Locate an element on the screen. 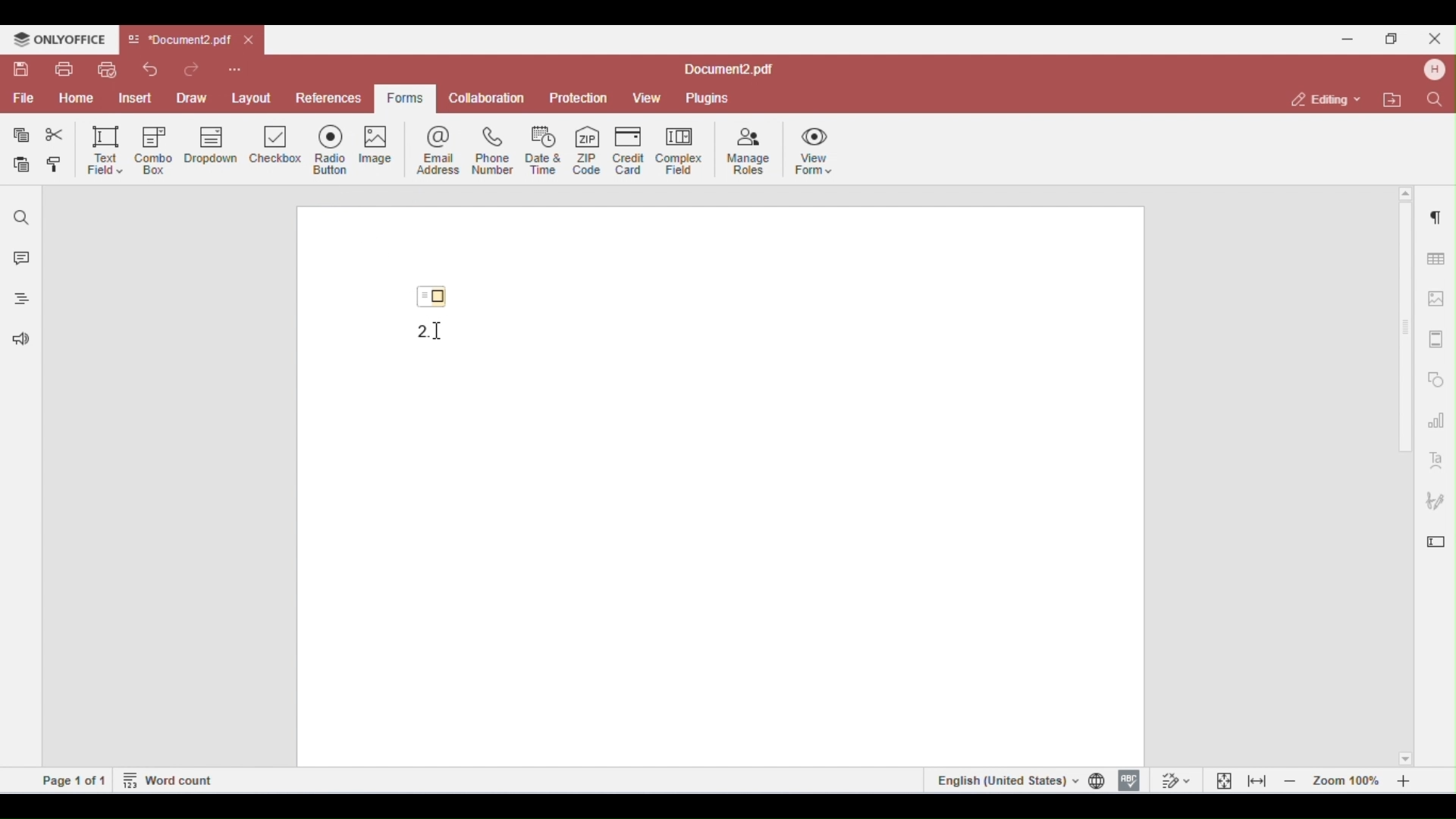  maximize is located at coordinates (1395, 38).